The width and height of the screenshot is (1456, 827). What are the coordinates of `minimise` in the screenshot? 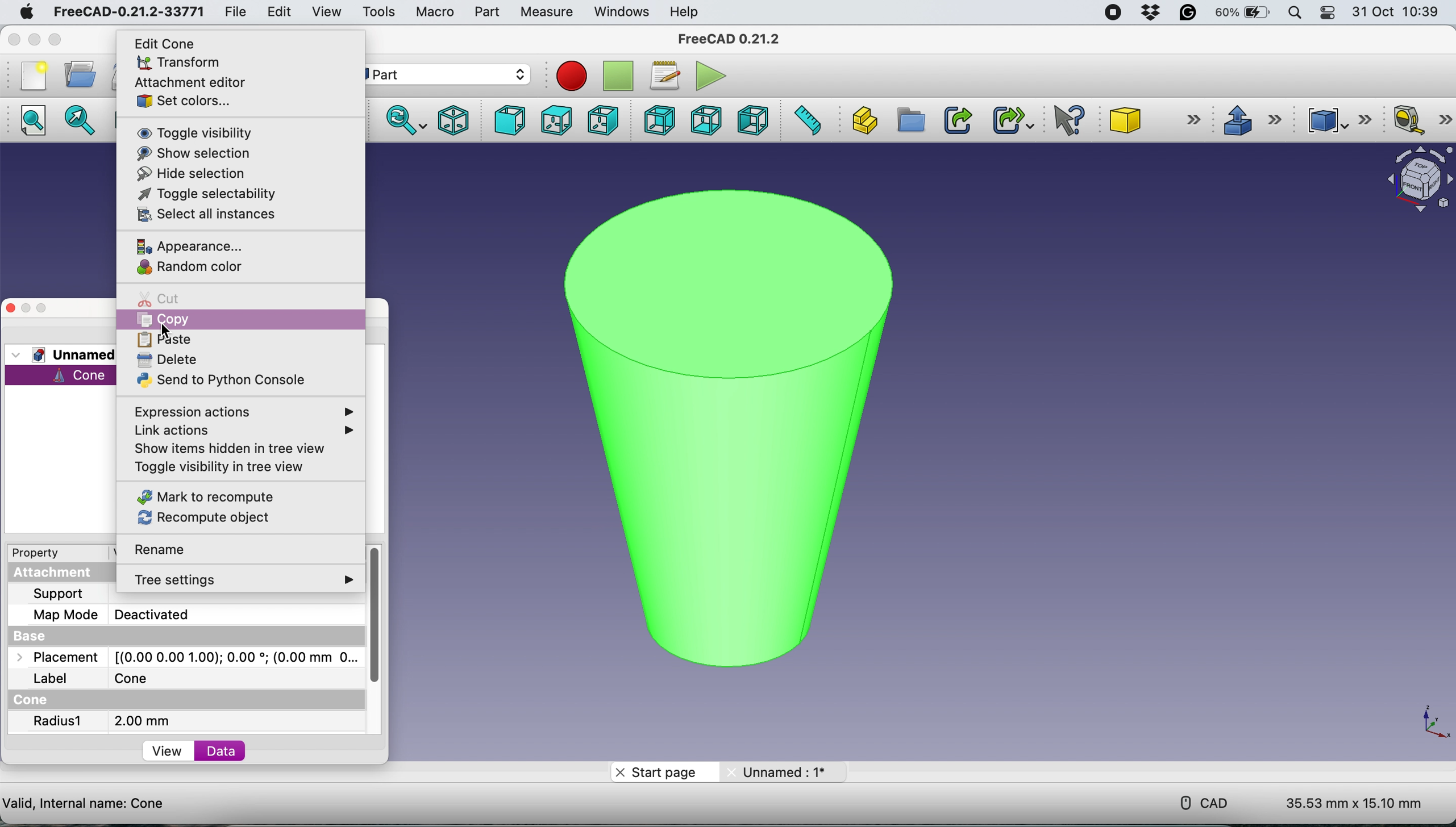 It's located at (26, 306).